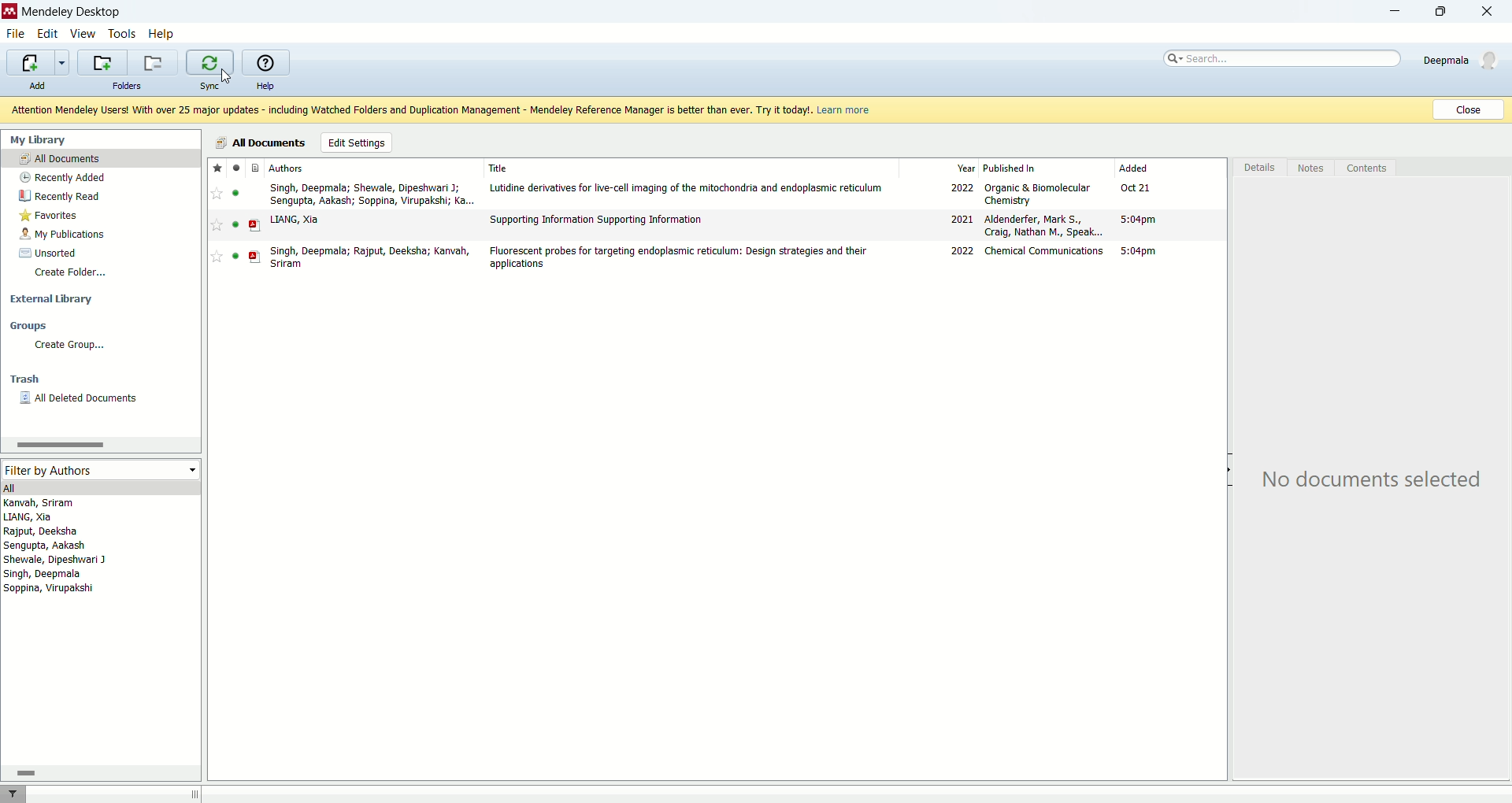  What do you see at coordinates (1395, 11) in the screenshot?
I see `minimize` at bounding box center [1395, 11].